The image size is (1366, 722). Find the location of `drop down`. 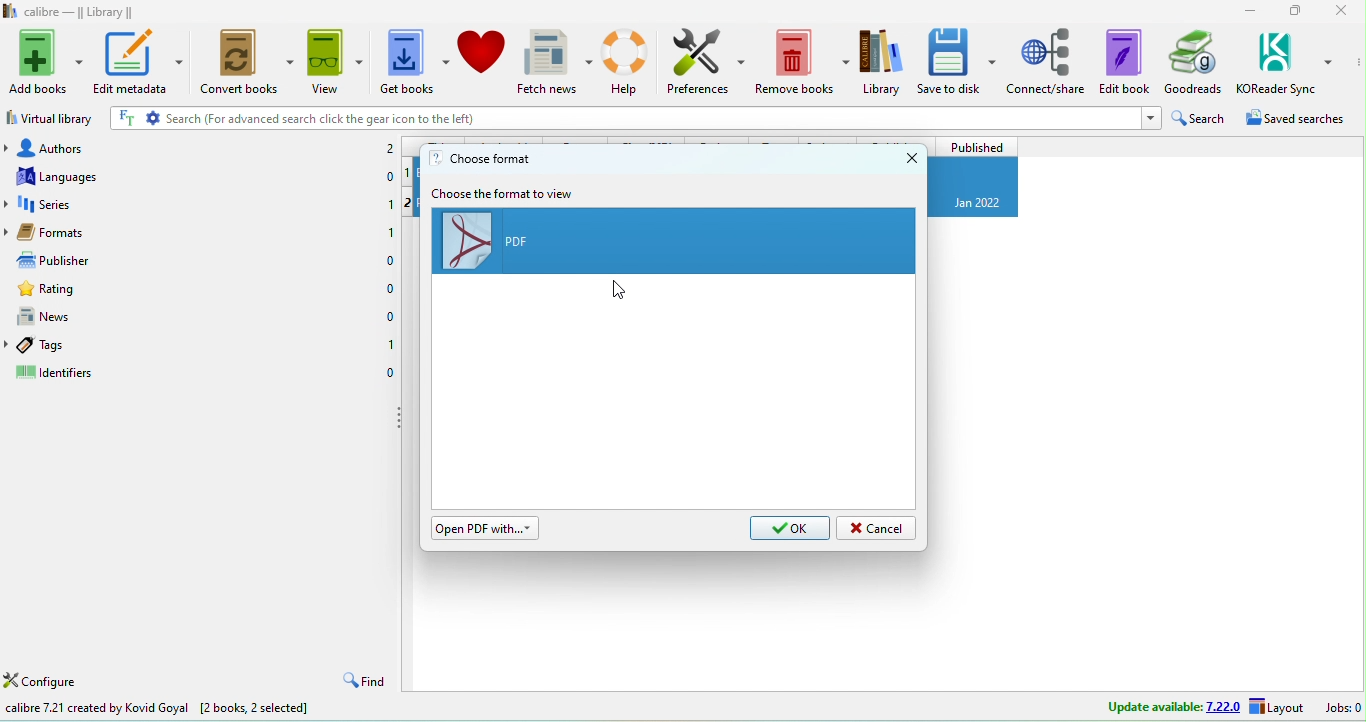

drop down is located at coordinates (9, 205).